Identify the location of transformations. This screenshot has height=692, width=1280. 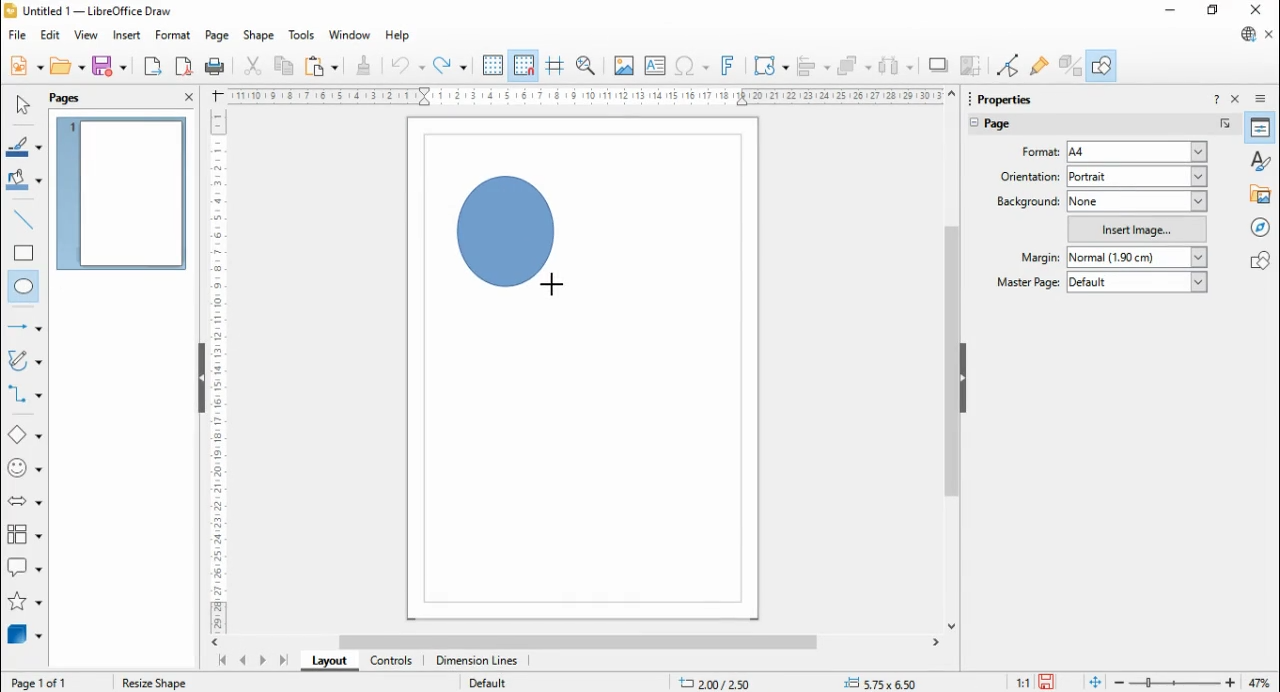
(769, 67).